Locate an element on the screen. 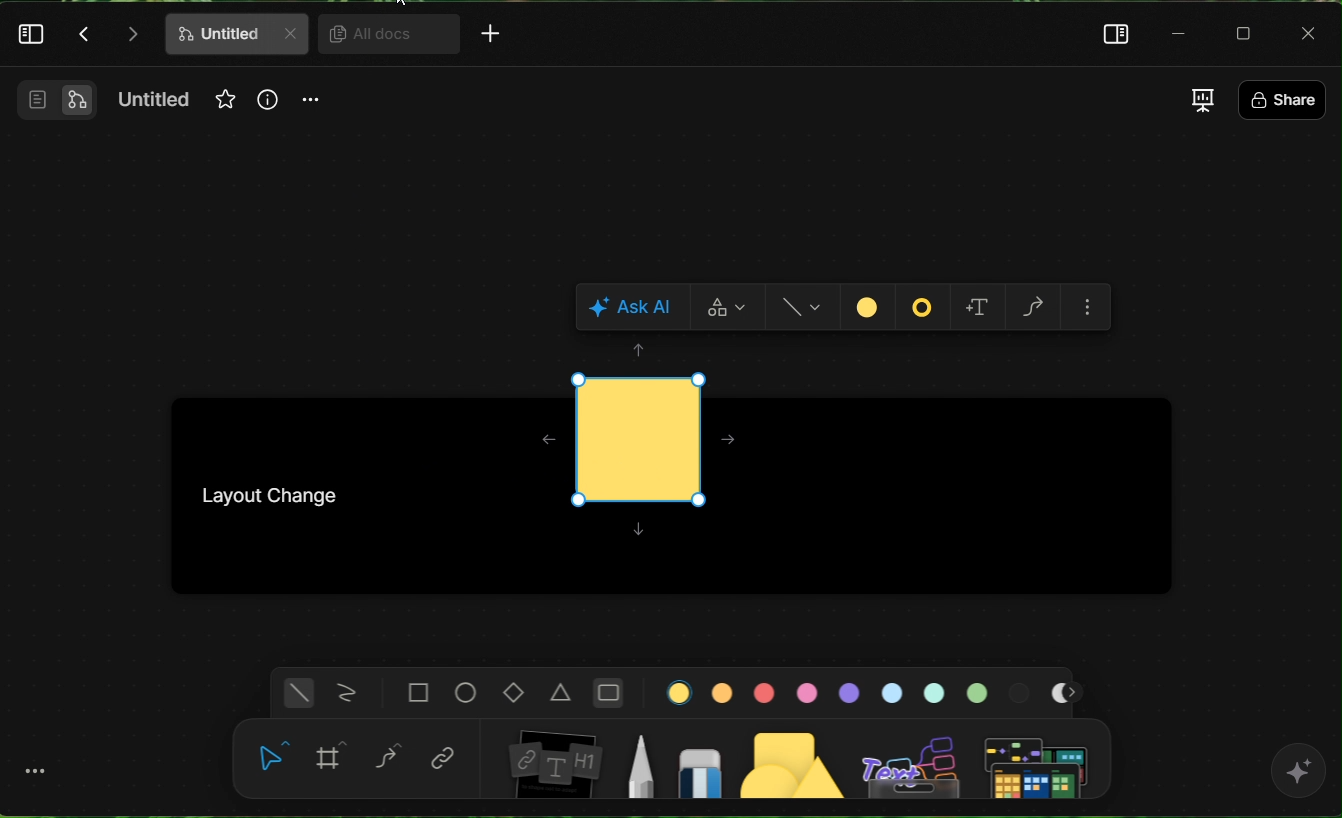 The height and width of the screenshot is (818, 1342). eraser is located at coordinates (699, 761).